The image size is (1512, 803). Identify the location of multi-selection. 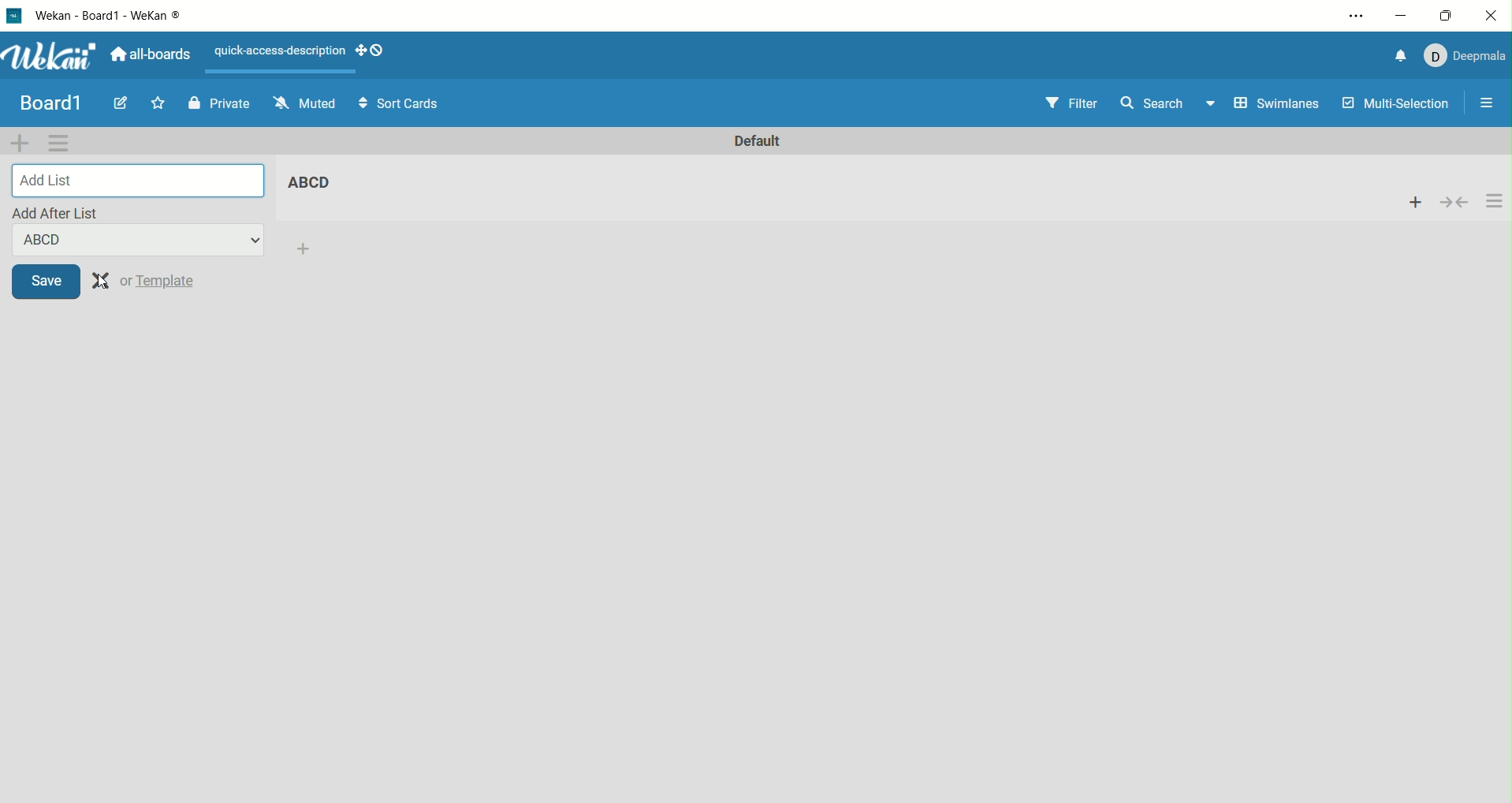
(1398, 104).